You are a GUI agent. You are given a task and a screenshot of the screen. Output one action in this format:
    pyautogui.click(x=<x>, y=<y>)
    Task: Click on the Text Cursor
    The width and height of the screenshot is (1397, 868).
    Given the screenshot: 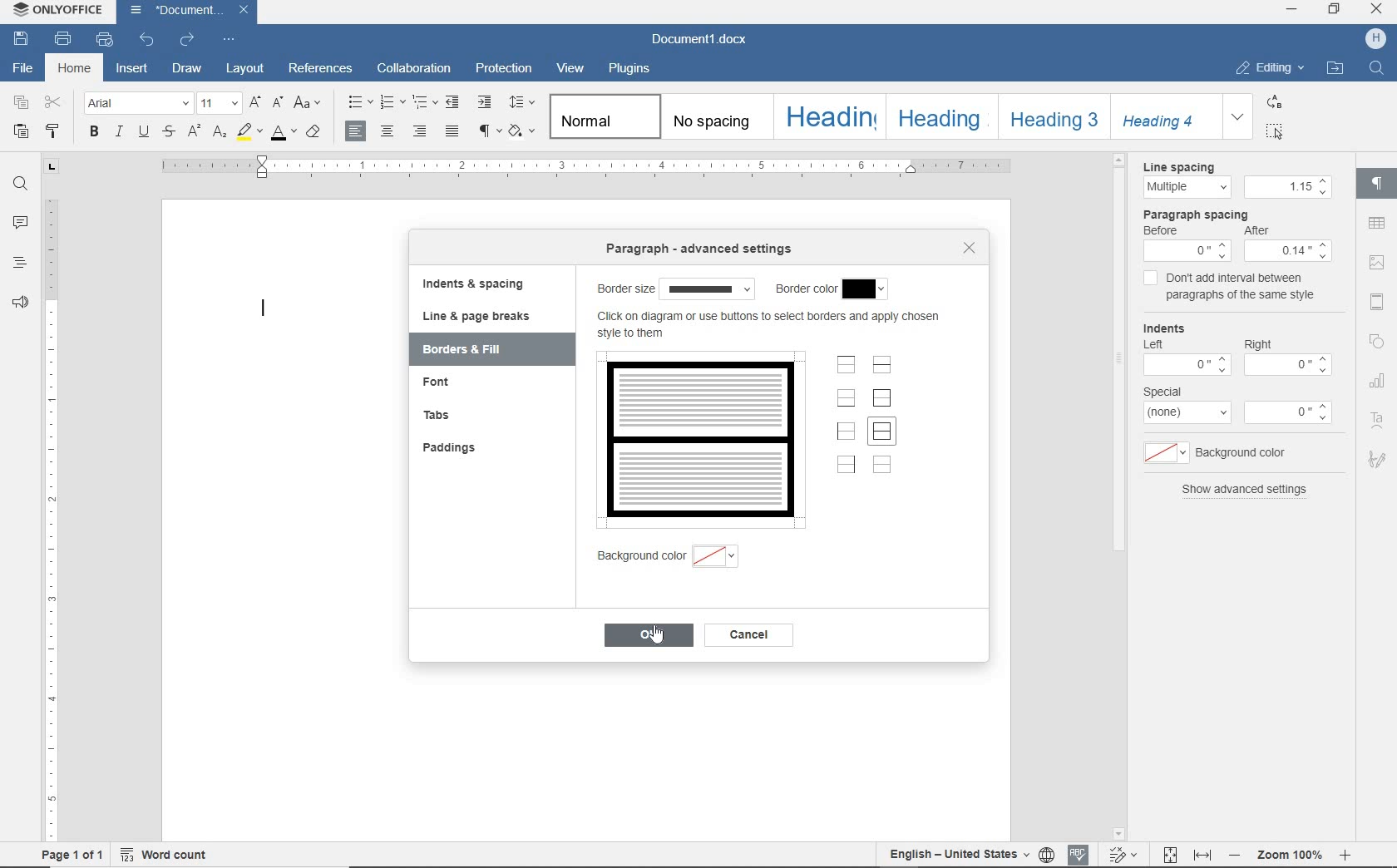 What is the action you would take?
    pyautogui.click(x=259, y=307)
    